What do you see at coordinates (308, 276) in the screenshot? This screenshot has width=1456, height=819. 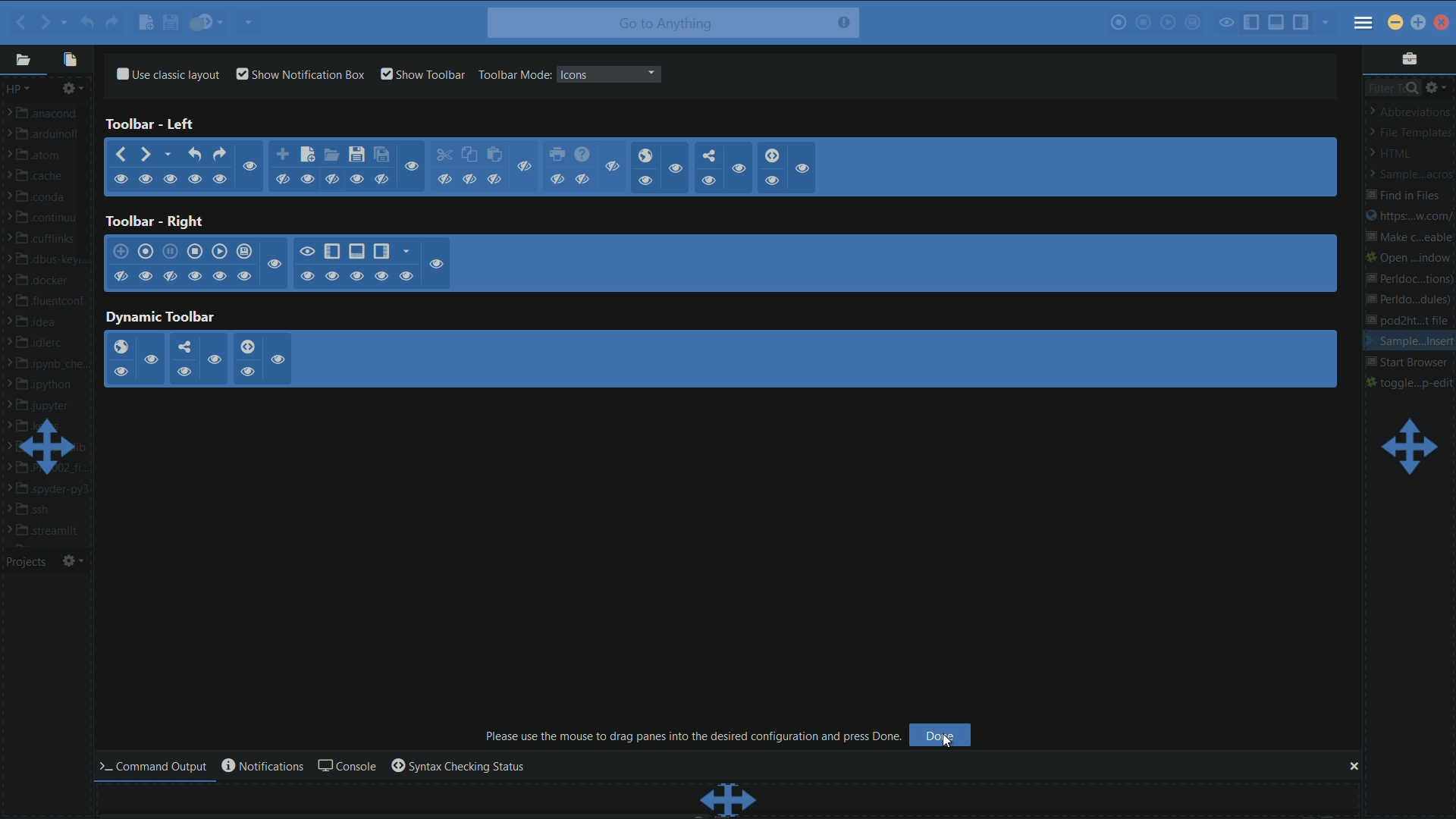 I see `hide/show` at bounding box center [308, 276].